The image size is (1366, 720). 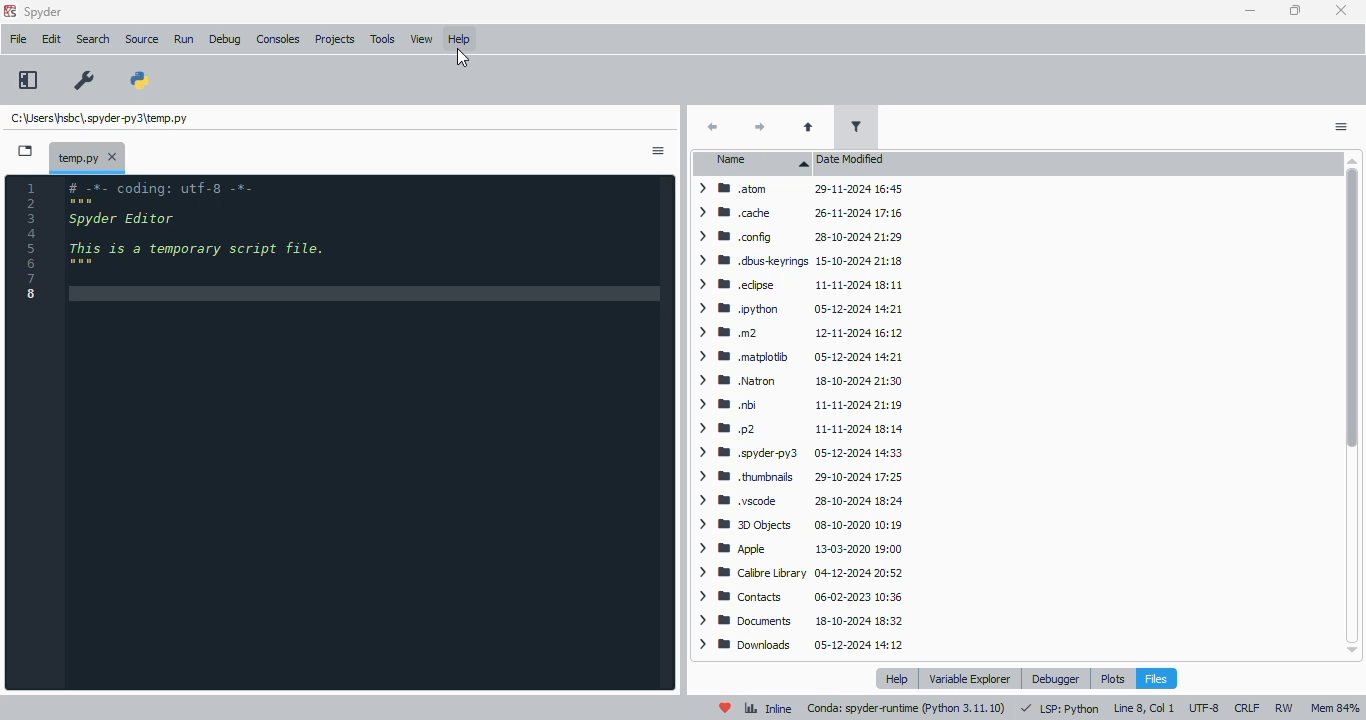 What do you see at coordinates (798, 189) in the screenshot?
I see `> BB atom 29-11-2024 16:45` at bounding box center [798, 189].